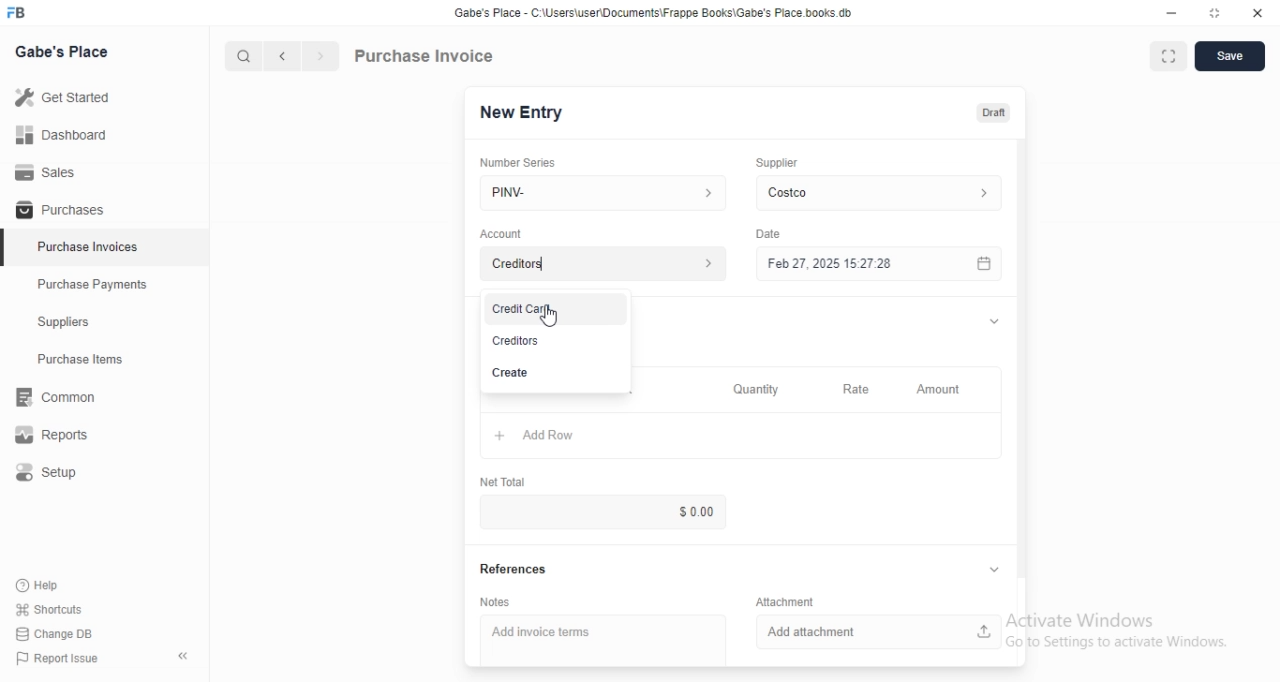 The width and height of the screenshot is (1280, 682). Describe the element at coordinates (1117, 630) in the screenshot. I see `Activate Windows Go to Settings to activate Windows.` at that location.